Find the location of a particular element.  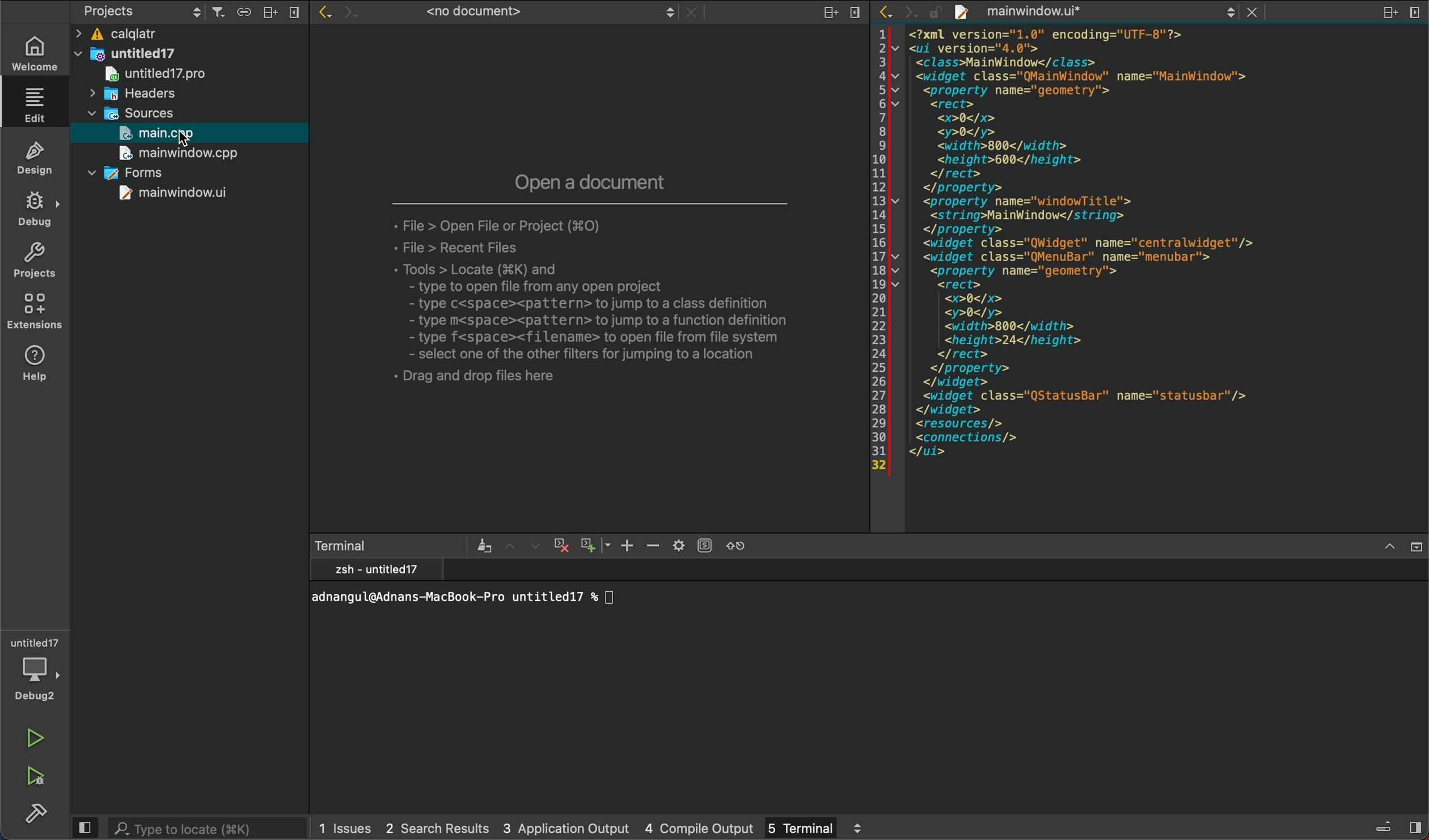

setting is located at coordinates (692, 545).